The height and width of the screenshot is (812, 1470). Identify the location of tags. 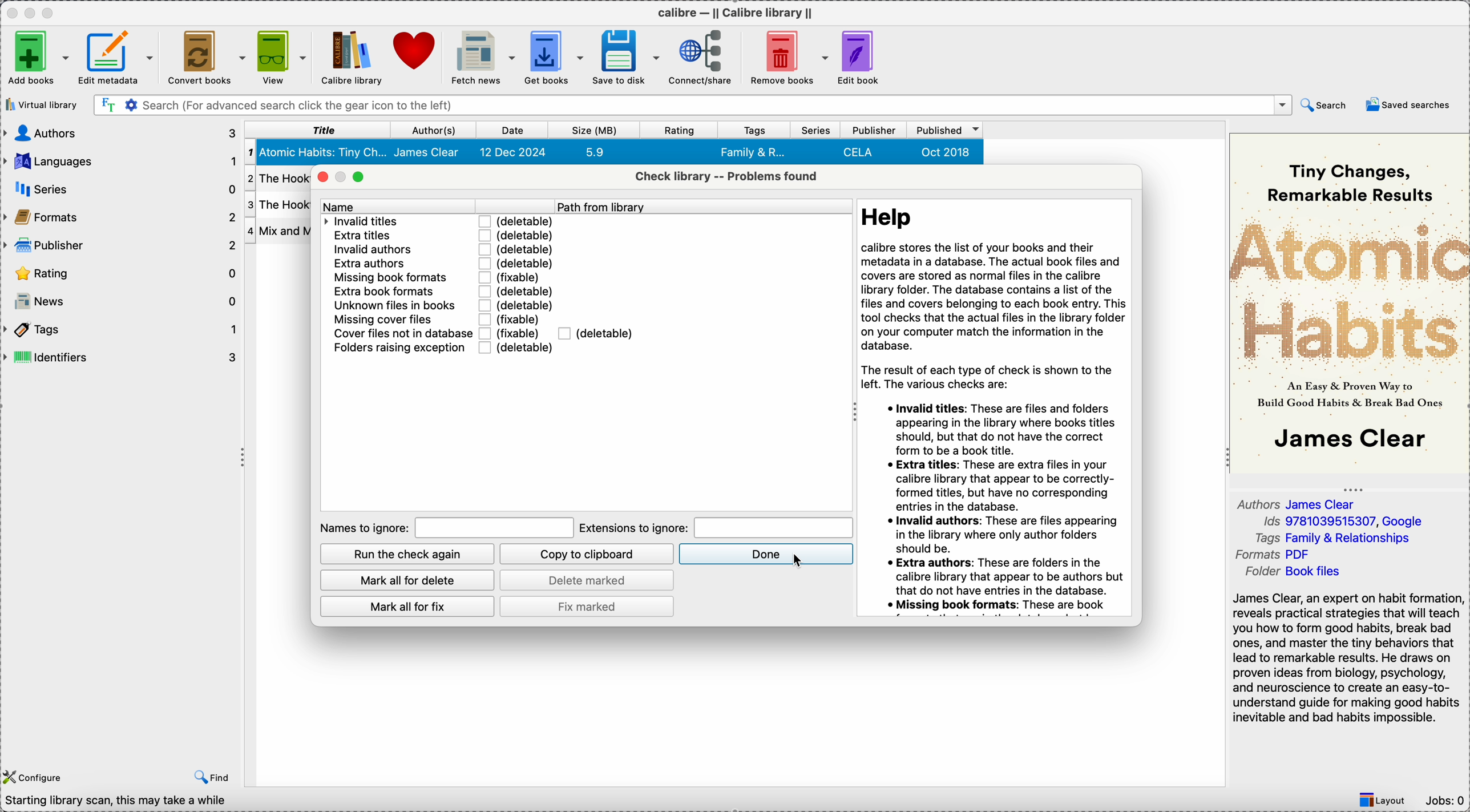
(122, 329).